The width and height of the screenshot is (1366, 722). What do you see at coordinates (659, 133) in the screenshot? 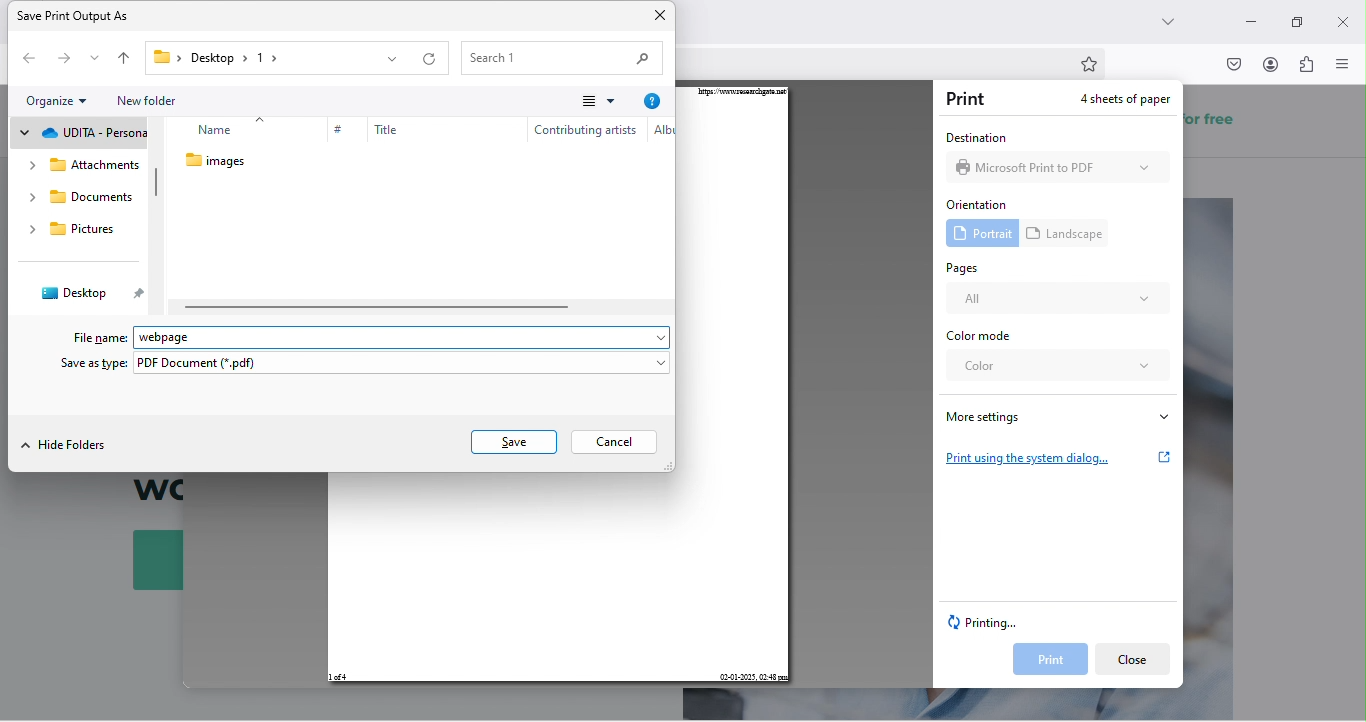
I see `Alb` at bounding box center [659, 133].